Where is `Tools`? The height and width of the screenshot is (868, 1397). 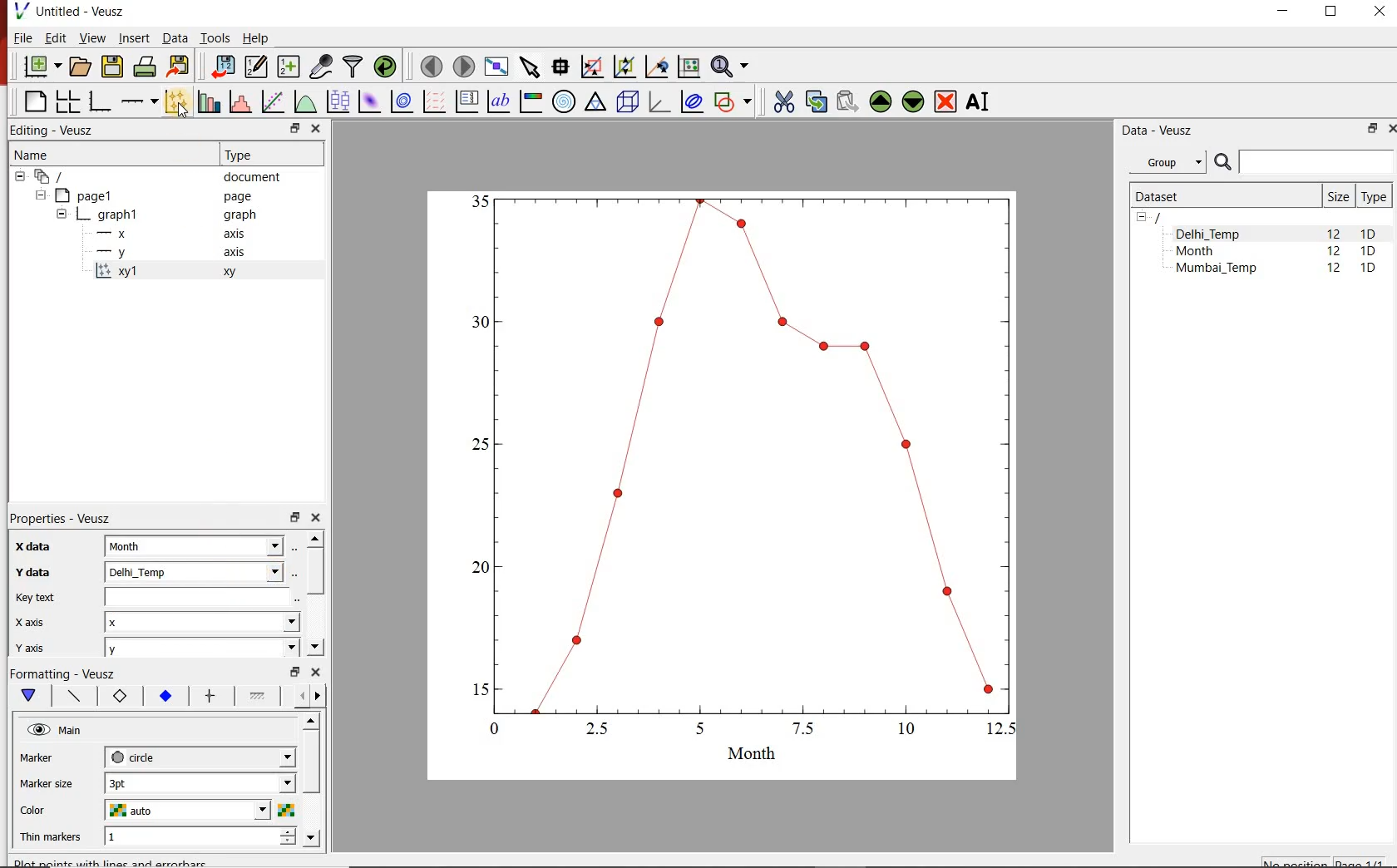 Tools is located at coordinates (216, 38).